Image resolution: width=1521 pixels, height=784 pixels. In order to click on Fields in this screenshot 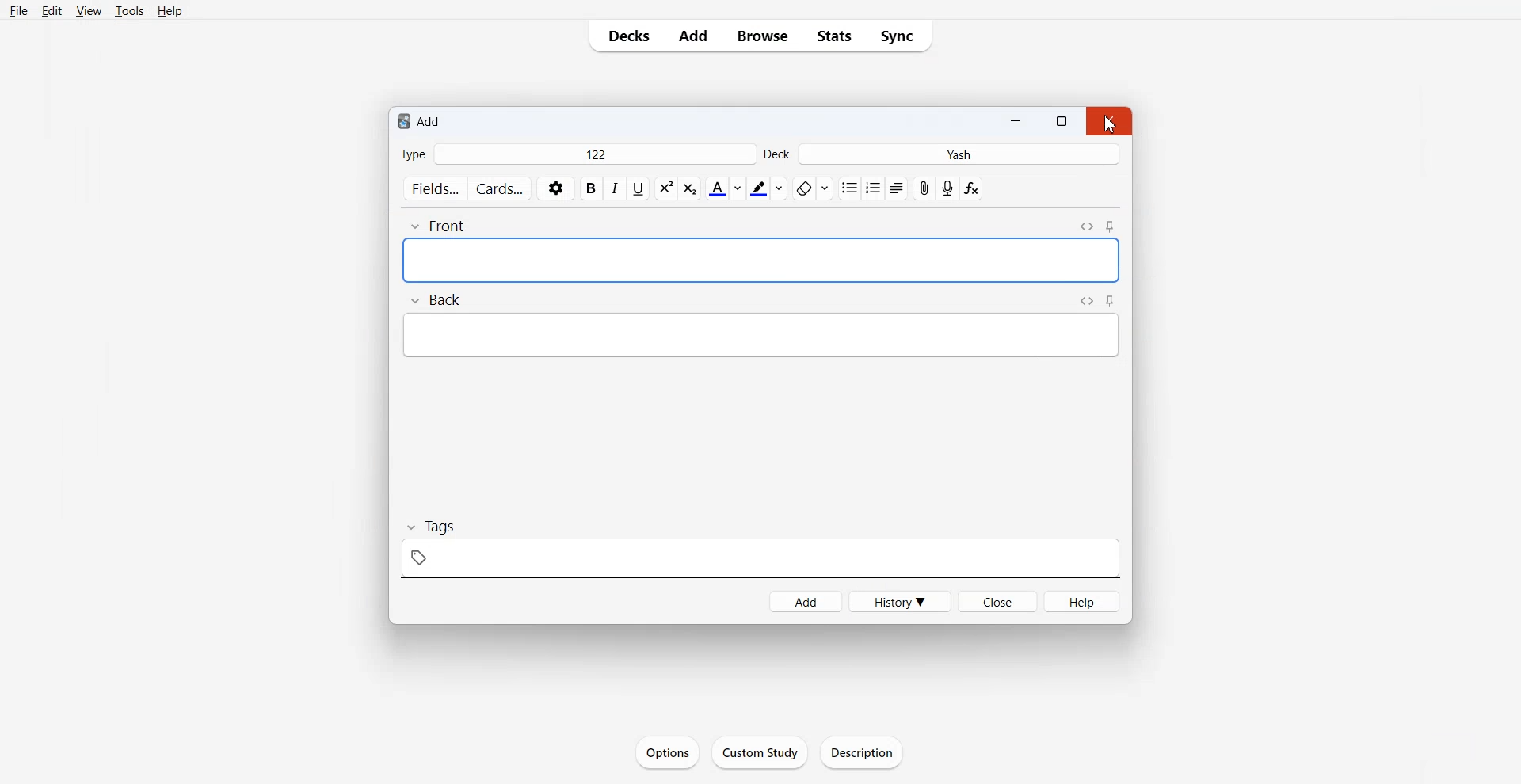, I will do `click(434, 189)`.